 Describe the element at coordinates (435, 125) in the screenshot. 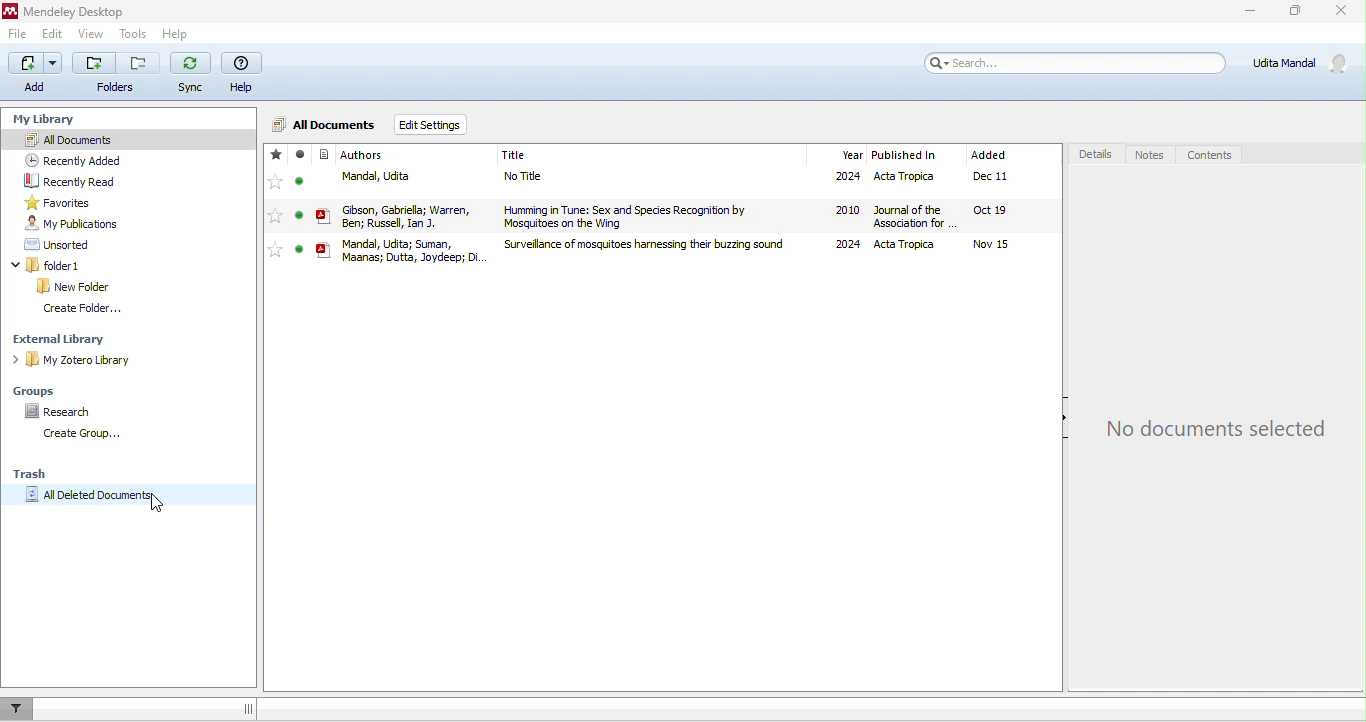

I see `edit settings` at that location.